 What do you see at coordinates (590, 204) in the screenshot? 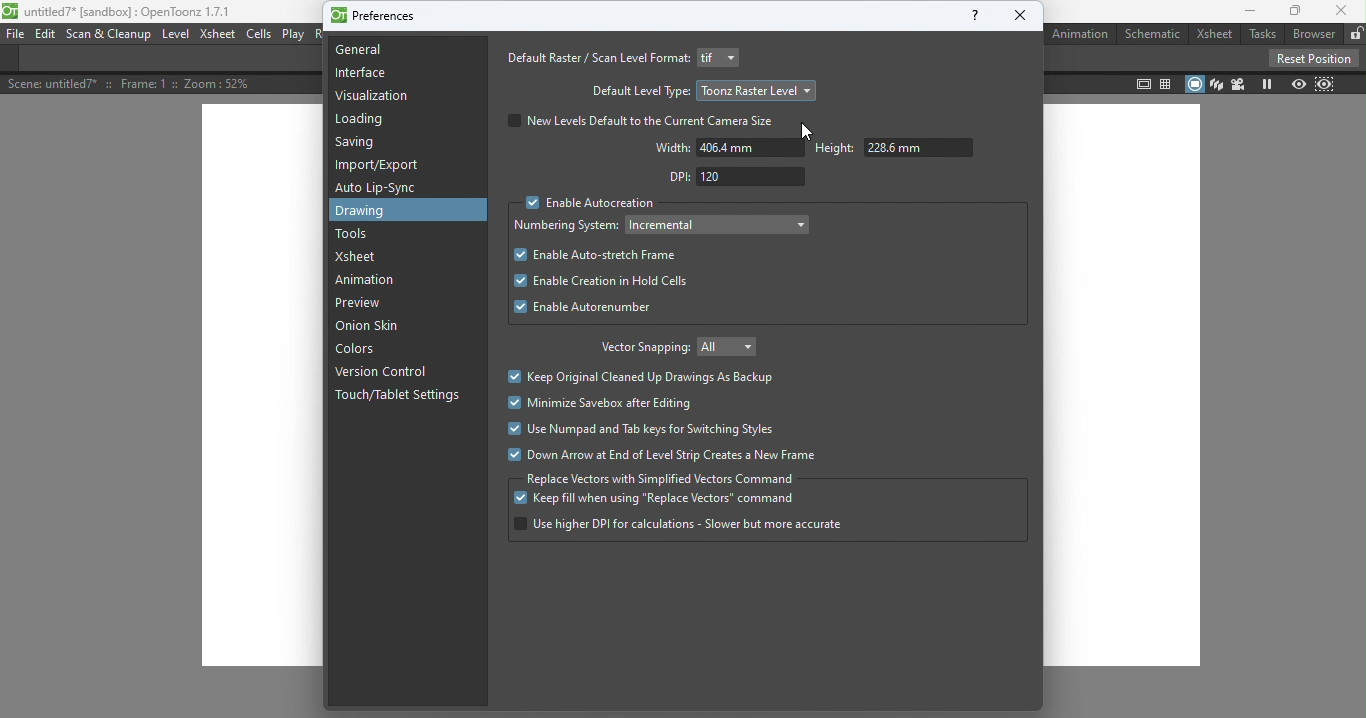
I see `Enable Autocreation` at bounding box center [590, 204].